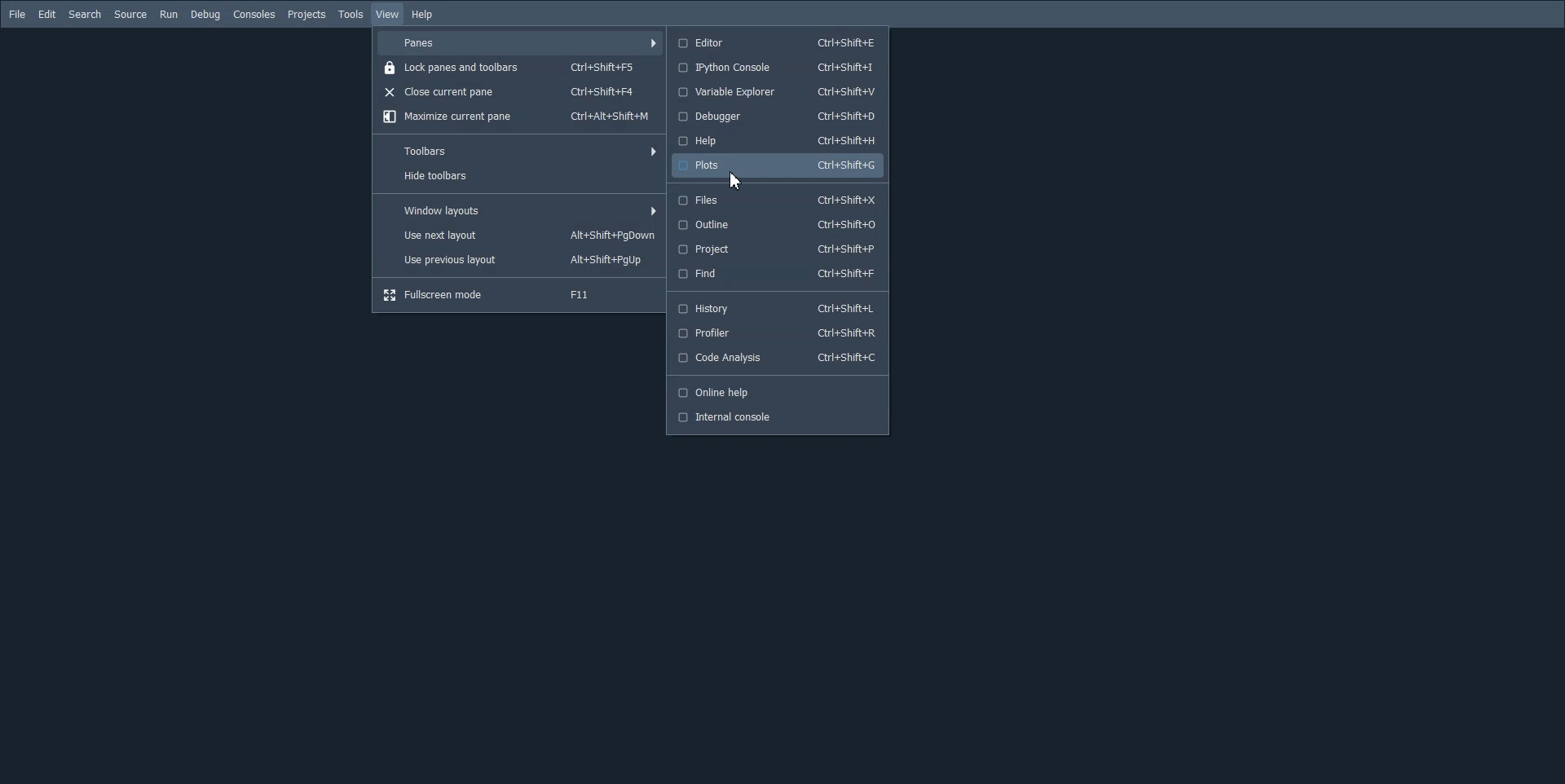 The height and width of the screenshot is (784, 1565). What do you see at coordinates (778, 68) in the screenshot?
I see `Ipython console` at bounding box center [778, 68].